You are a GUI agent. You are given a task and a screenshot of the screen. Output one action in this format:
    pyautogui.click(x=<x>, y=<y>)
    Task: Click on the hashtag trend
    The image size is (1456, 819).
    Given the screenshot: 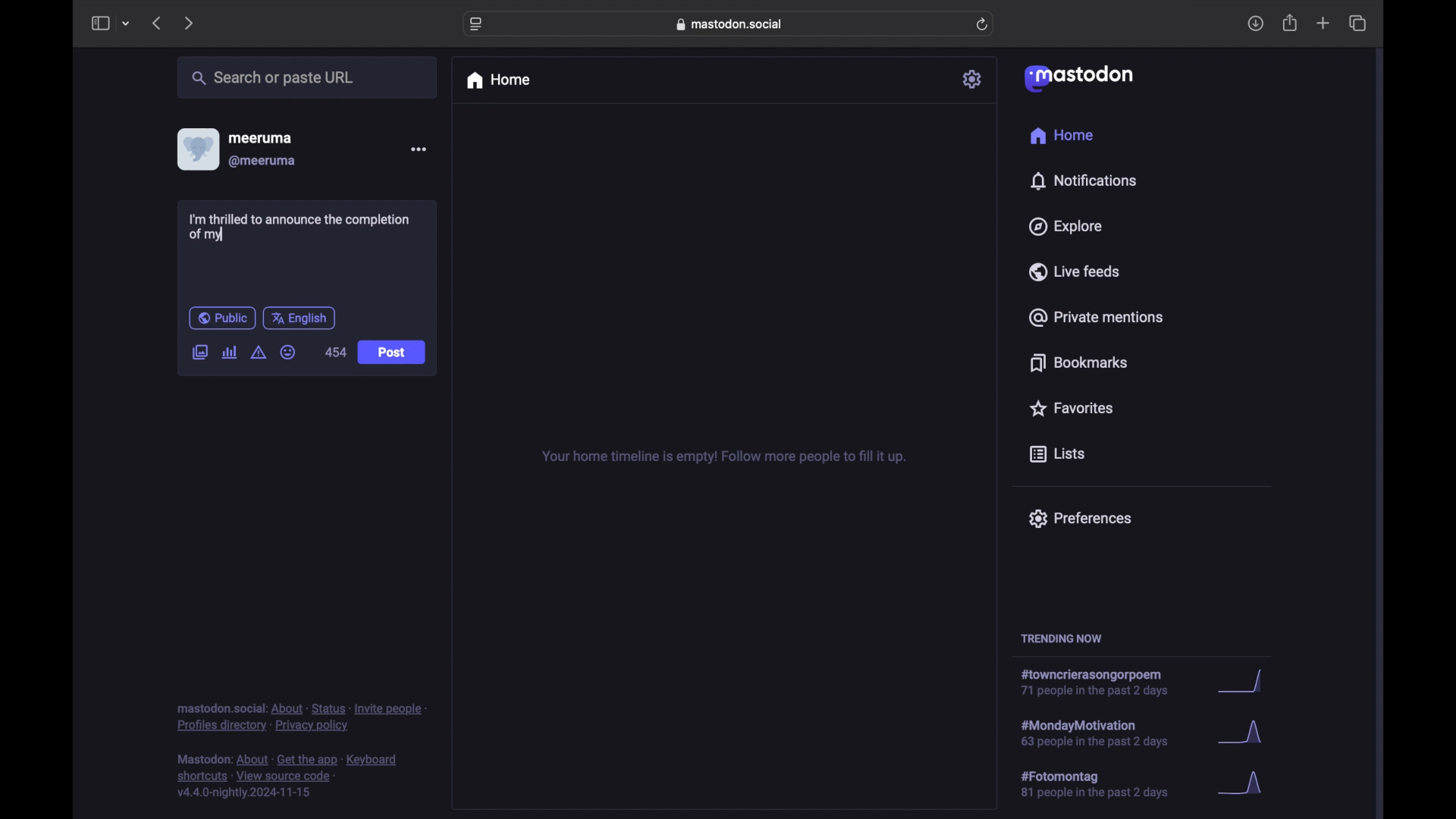 What is the action you would take?
    pyautogui.click(x=1100, y=682)
    